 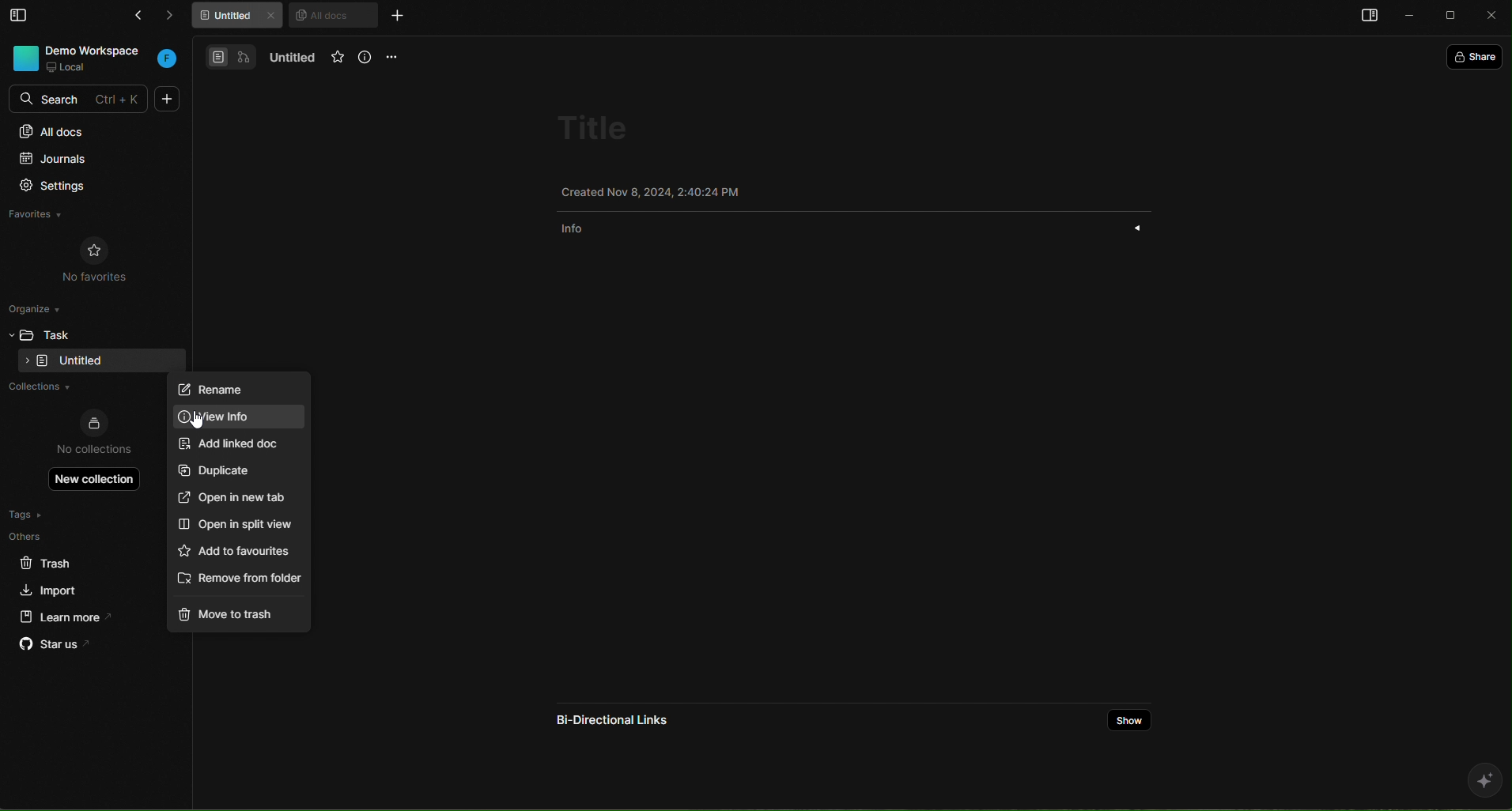 I want to click on trash, so click(x=59, y=560).